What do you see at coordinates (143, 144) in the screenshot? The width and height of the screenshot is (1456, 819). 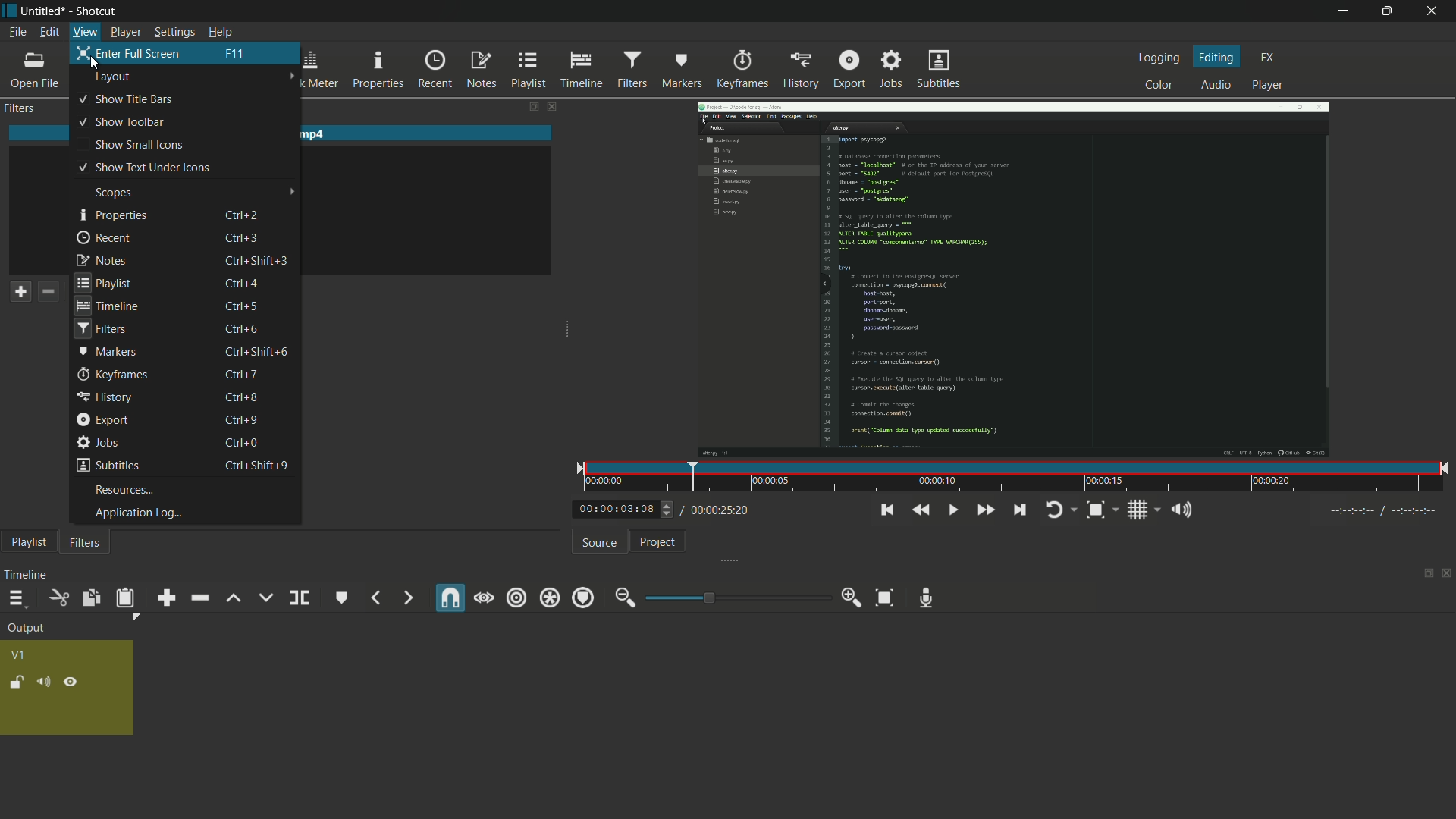 I see `show small icons` at bounding box center [143, 144].